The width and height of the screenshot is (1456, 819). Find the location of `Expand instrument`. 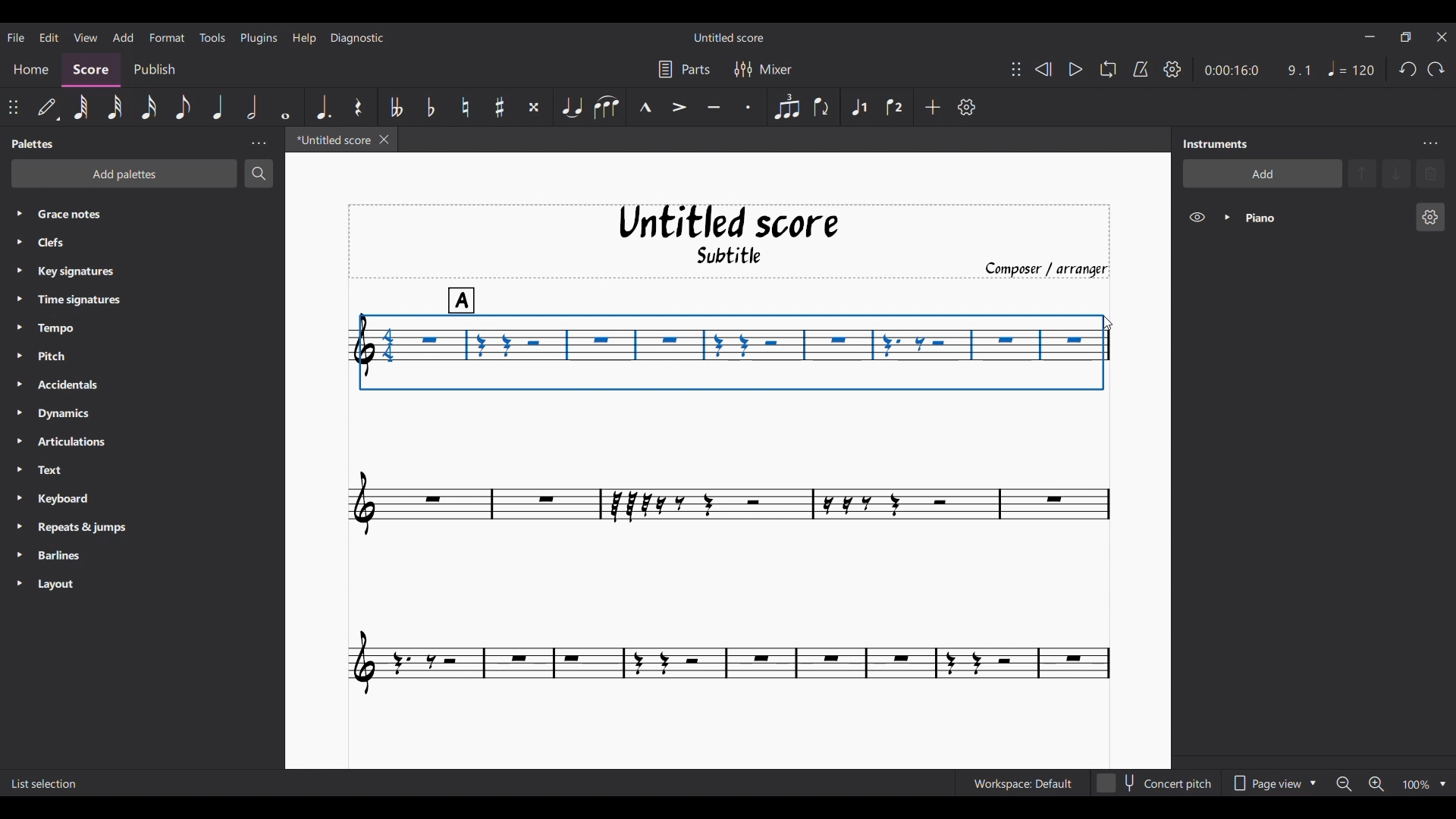

Expand instrument is located at coordinates (1227, 218).